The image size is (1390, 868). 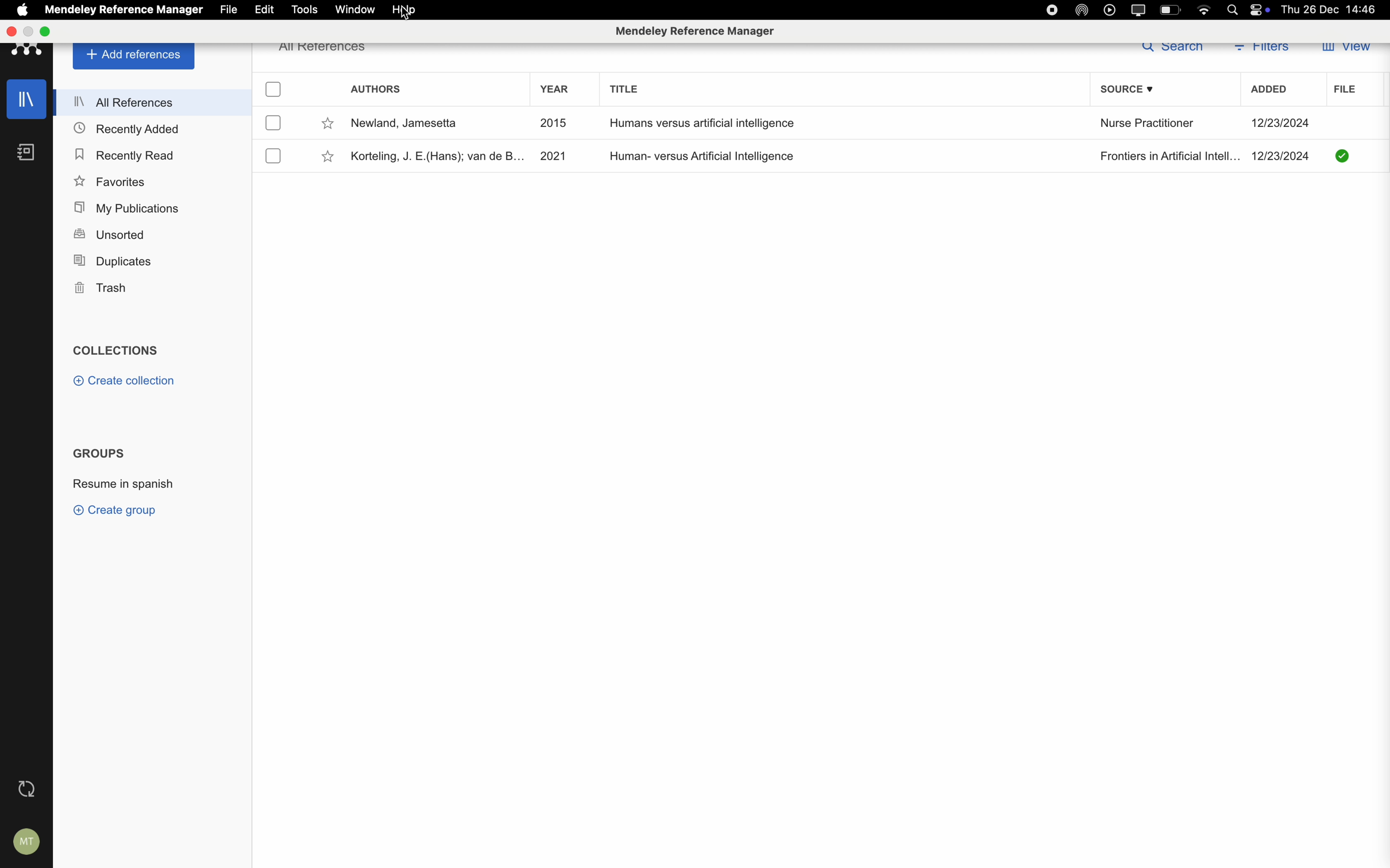 I want to click on Nurse Practitioner, so click(x=1148, y=122).